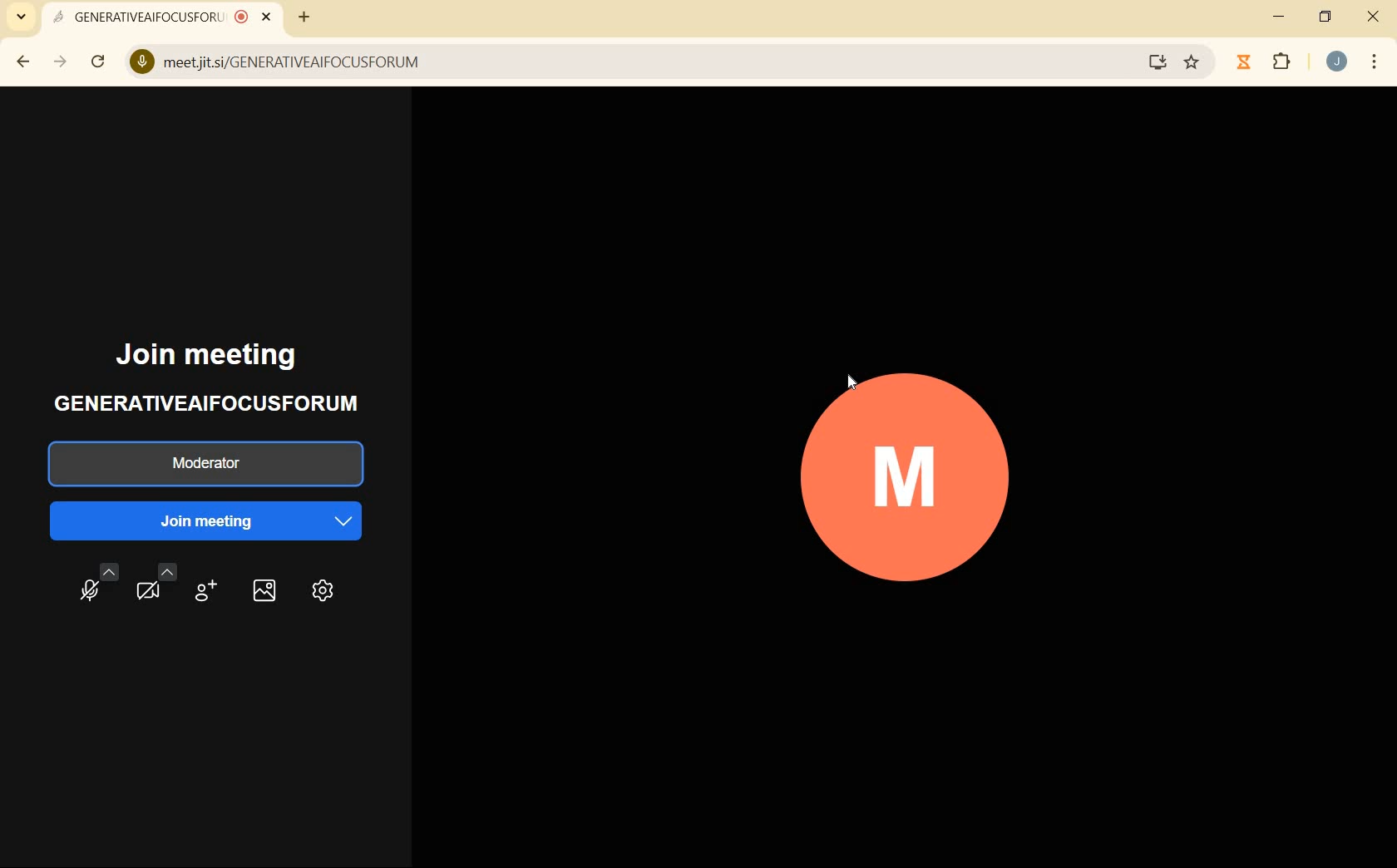 This screenshot has height=868, width=1397. Describe the element at coordinates (163, 20) in the screenshot. I see `GENERATIVEAIFOCUSFORU` at that location.